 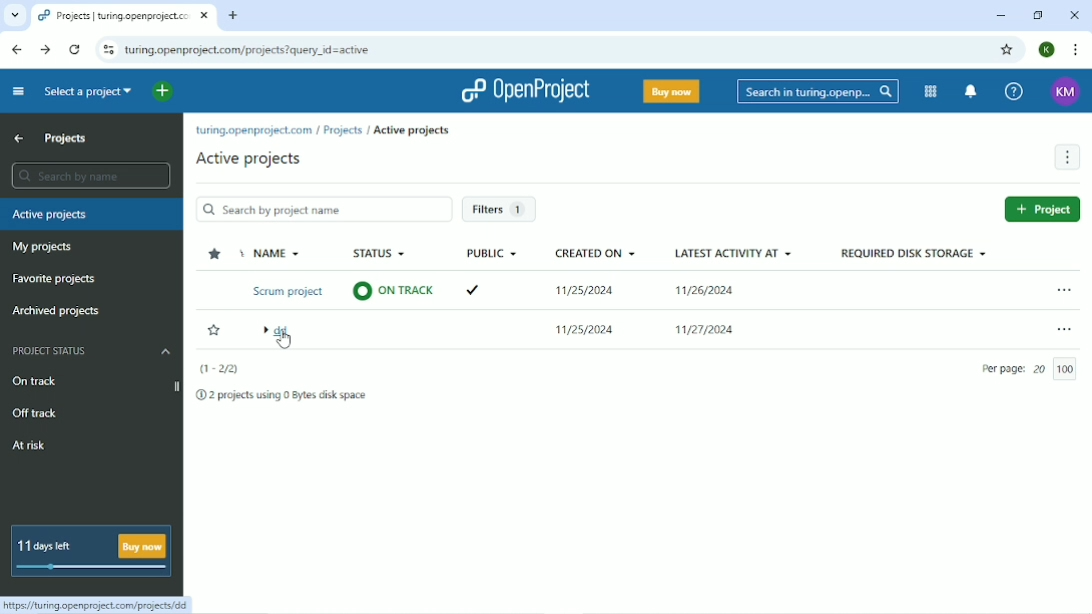 What do you see at coordinates (68, 139) in the screenshot?
I see `Projects` at bounding box center [68, 139].